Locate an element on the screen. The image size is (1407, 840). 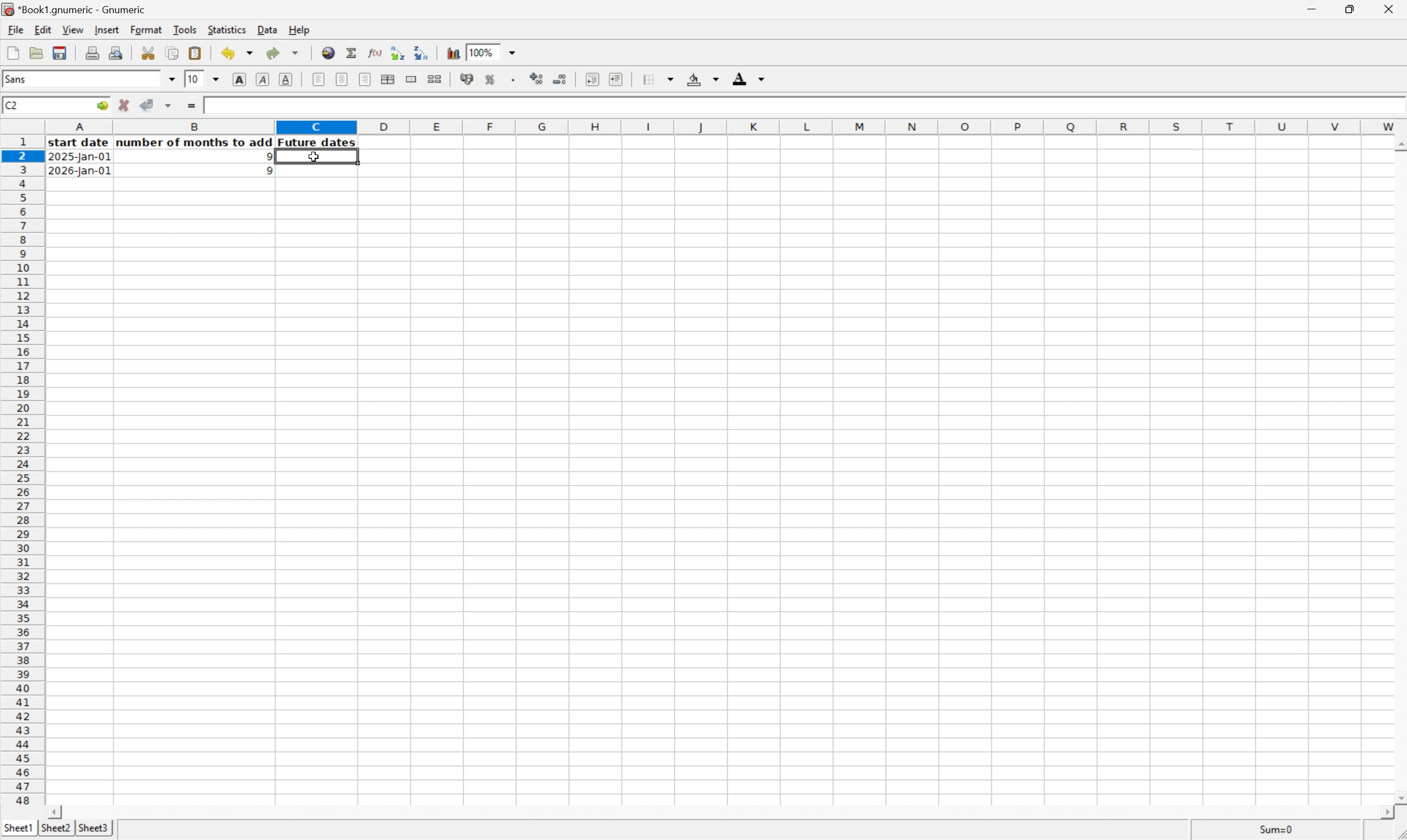
Redo is located at coordinates (281, 52).